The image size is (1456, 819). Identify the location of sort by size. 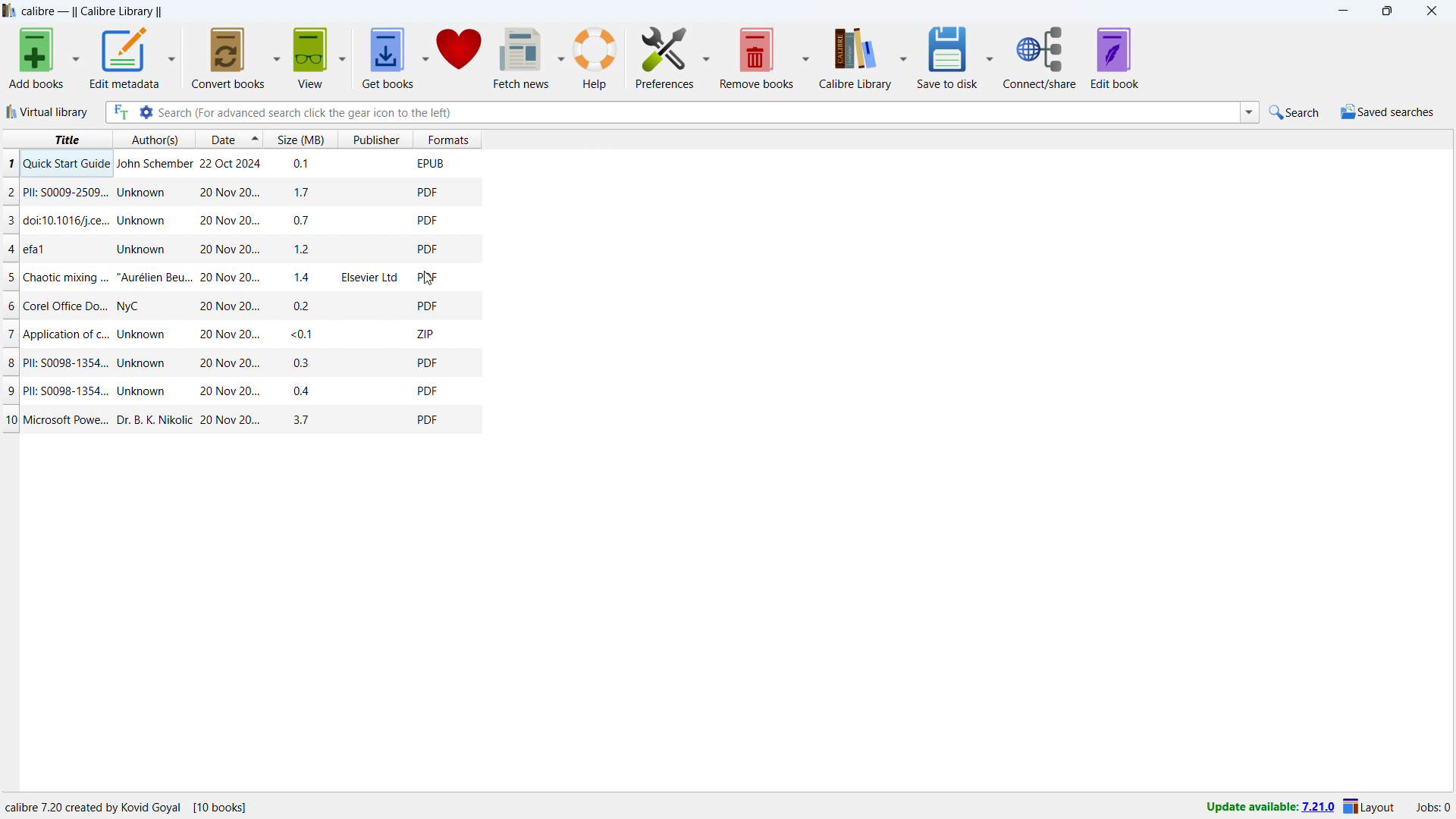
(302, 139).